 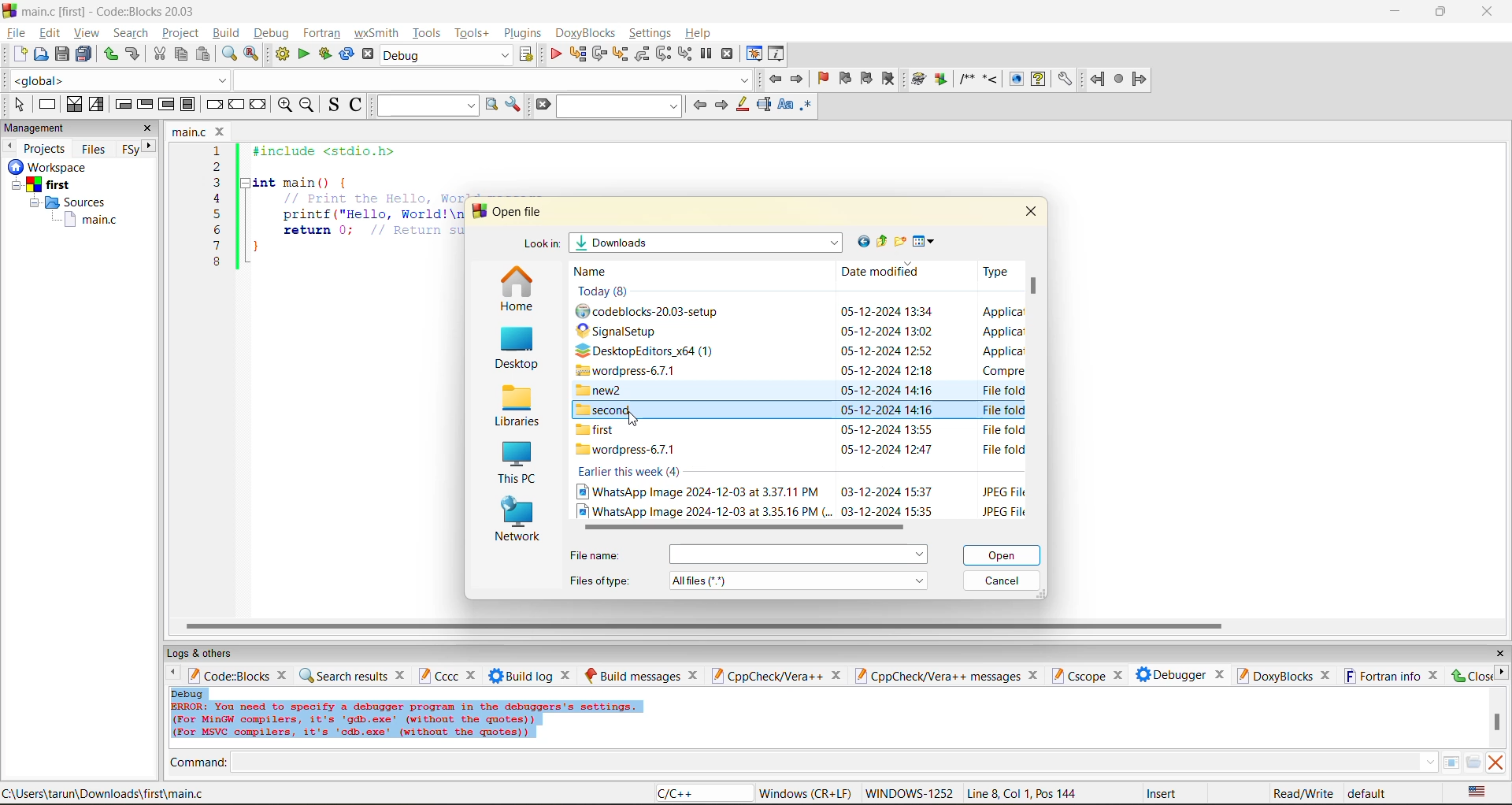 What do you see at coordinates (630, 472) in the screenshot?
I see `earlier this week` at bounding box center [630, 472].